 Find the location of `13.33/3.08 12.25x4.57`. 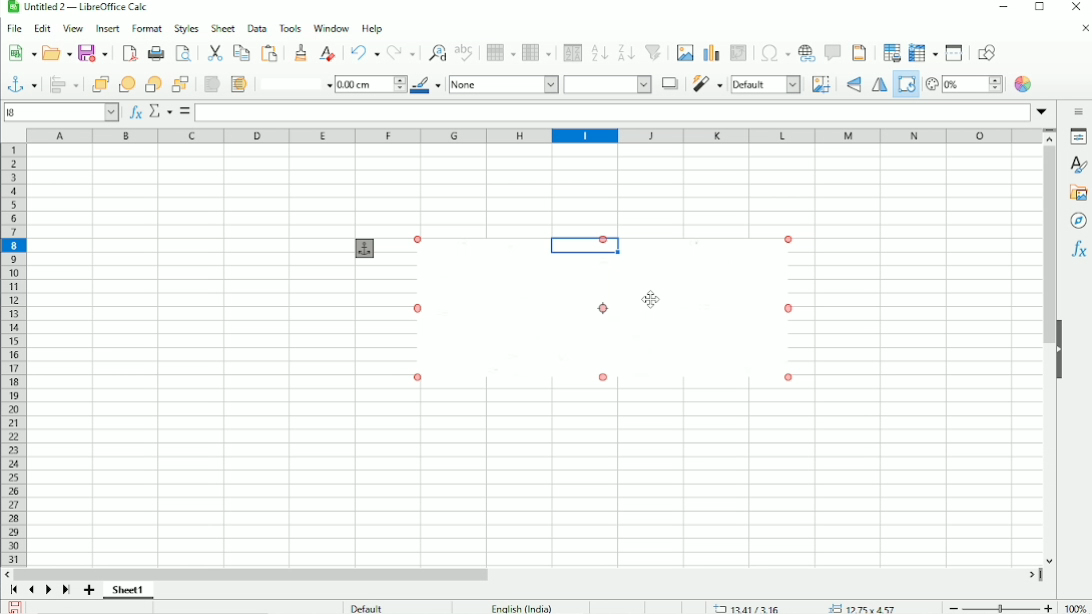

13.33/3.08 12.25x4.57 is located at coordinates (809, 607).